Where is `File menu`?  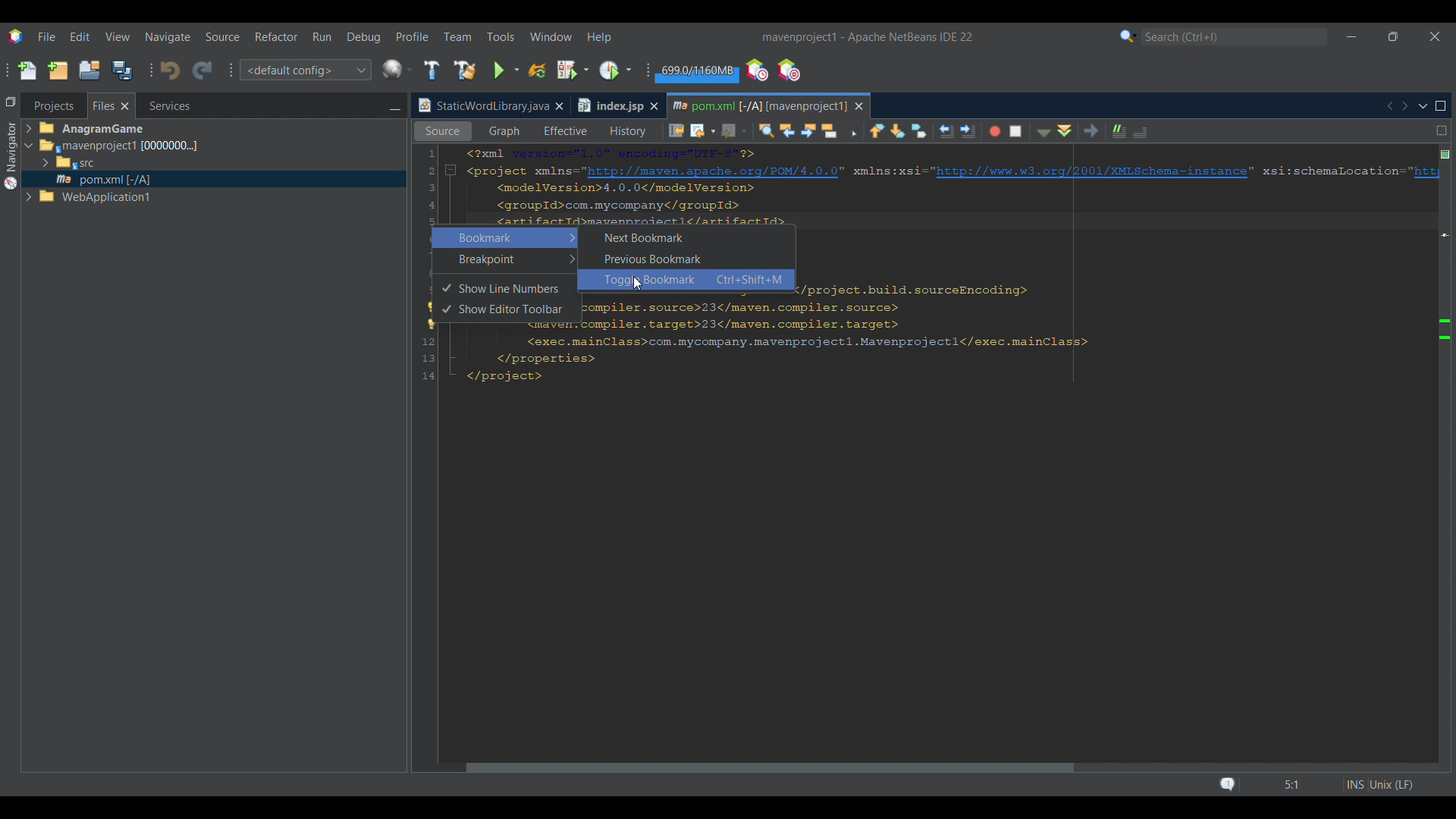 File menu is located at coordinates (46, 36).